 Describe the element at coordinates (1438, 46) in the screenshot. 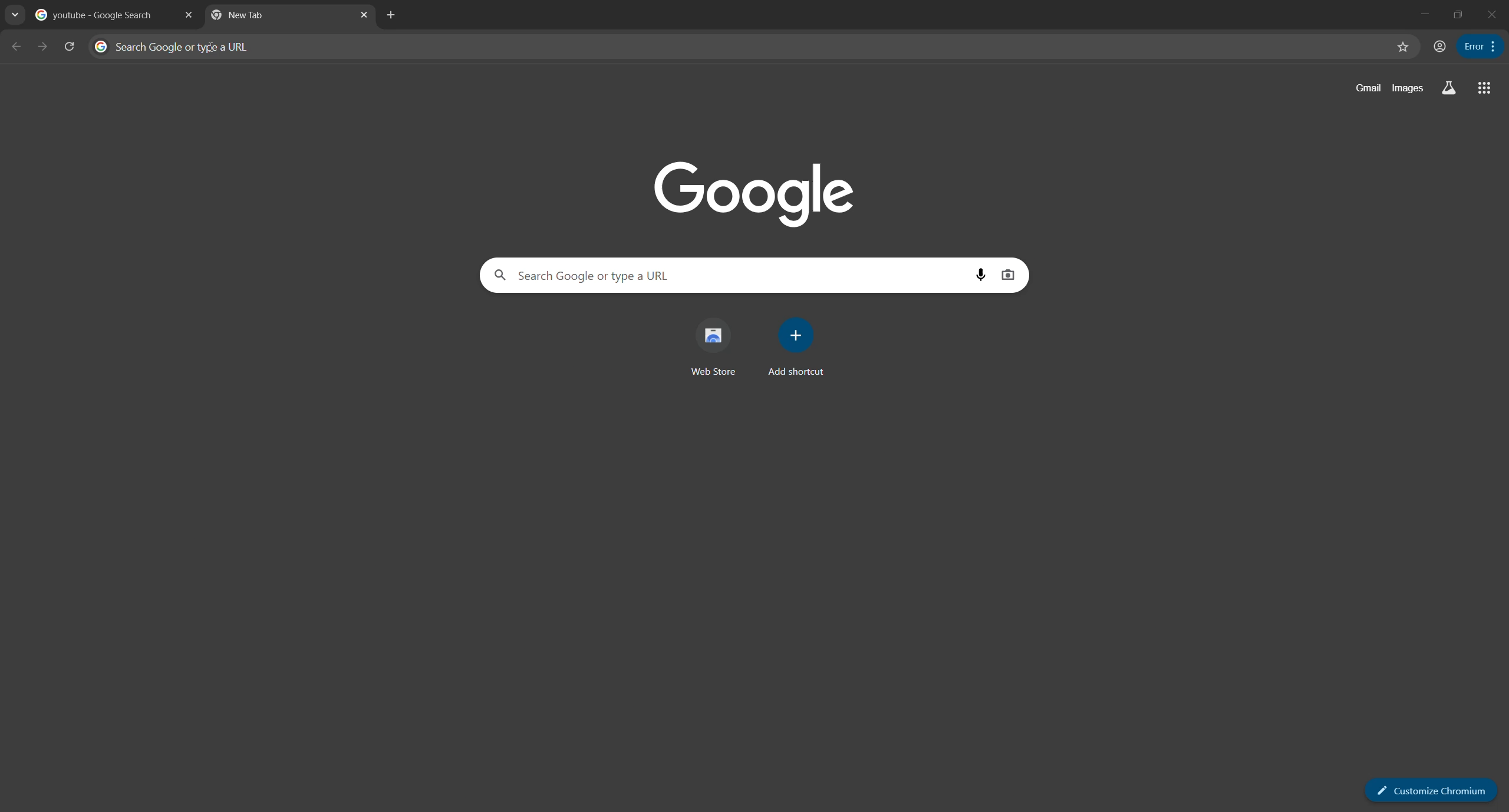

I see `account` at that location.